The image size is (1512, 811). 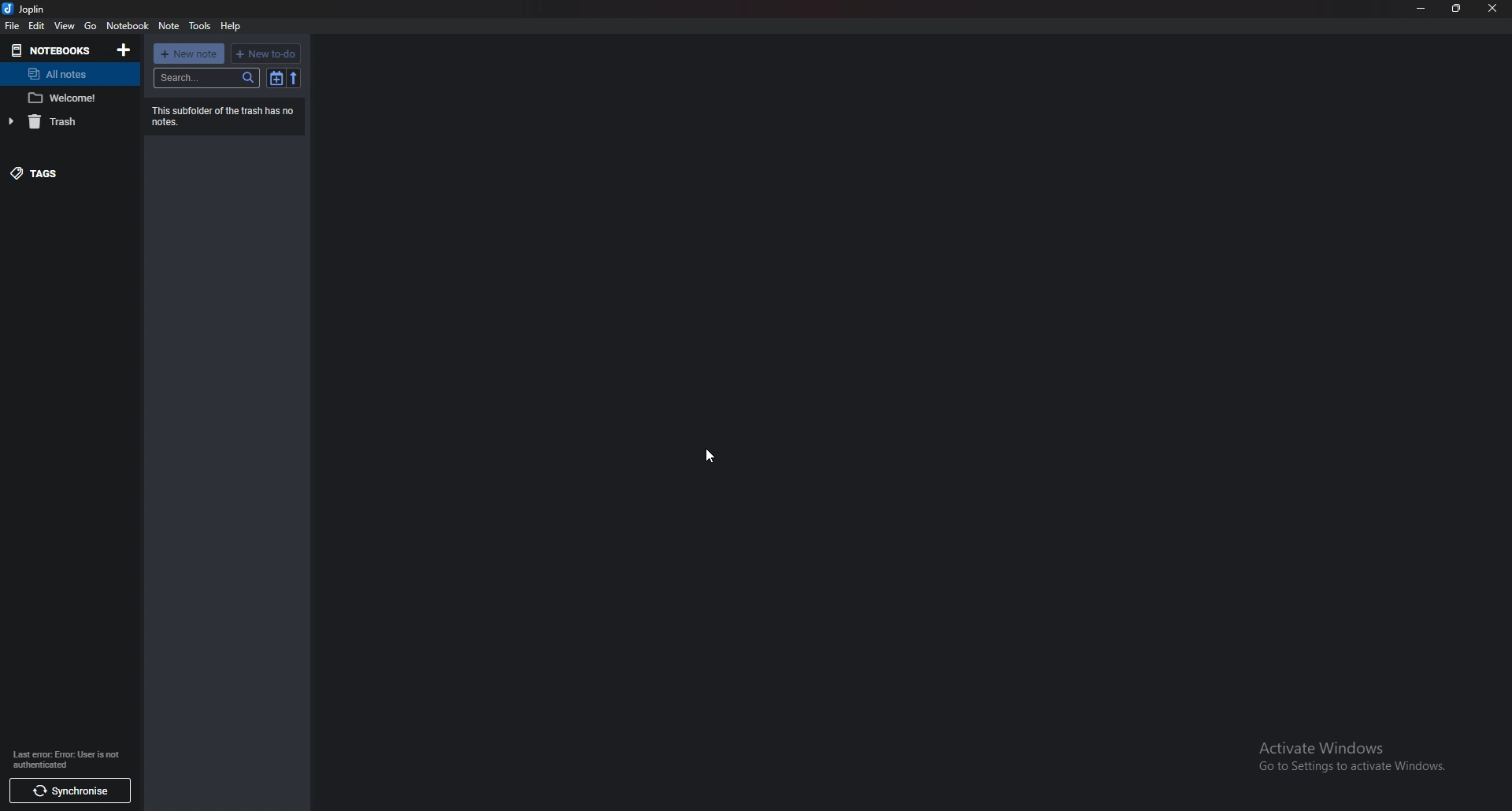 What do you see at coordinates (68, 98) in the screenshot?
I see `Notes` at bounding box center [68, 98].